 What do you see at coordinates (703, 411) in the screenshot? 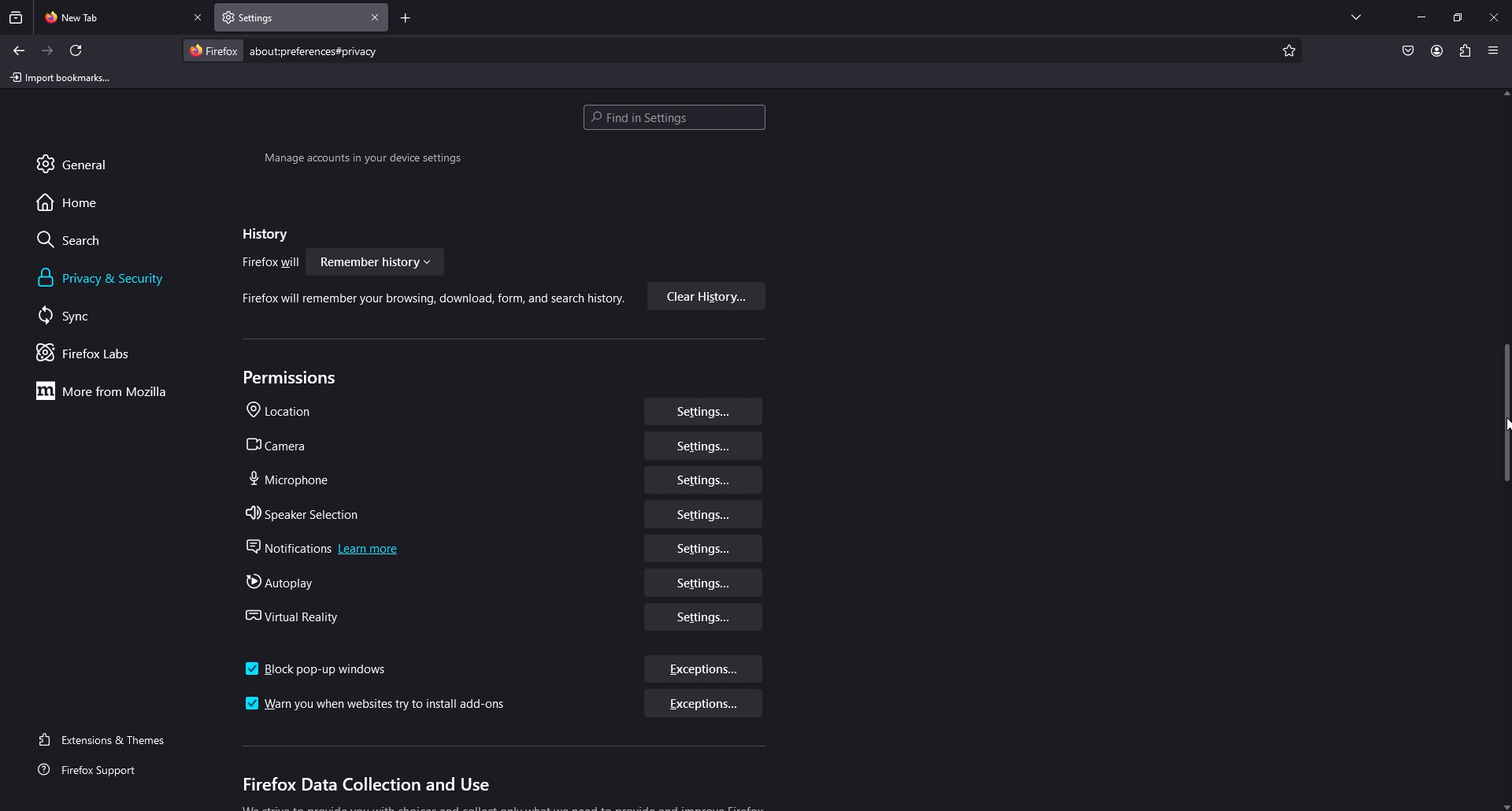
I see `settings` at bounding box center [703, 411].